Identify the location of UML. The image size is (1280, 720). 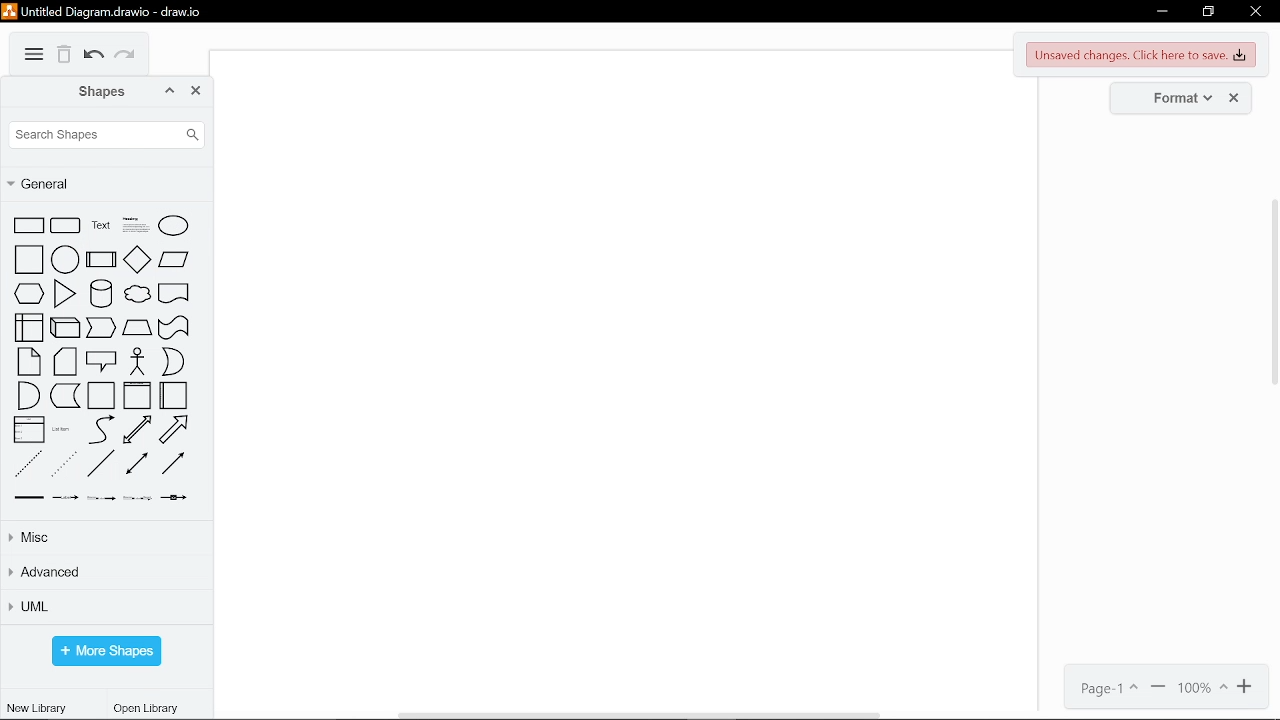
(105, 607).